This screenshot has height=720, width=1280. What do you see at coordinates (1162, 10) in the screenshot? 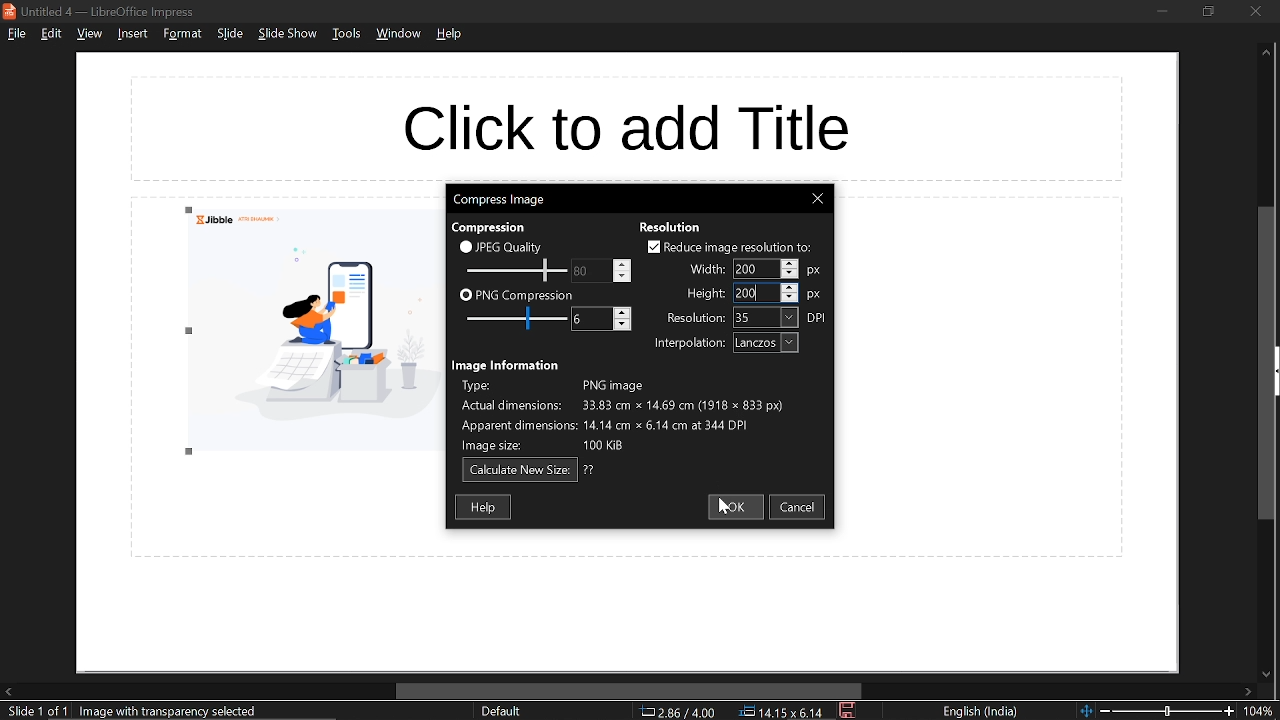
I see `minimize` at bounding box center [1162, 10].